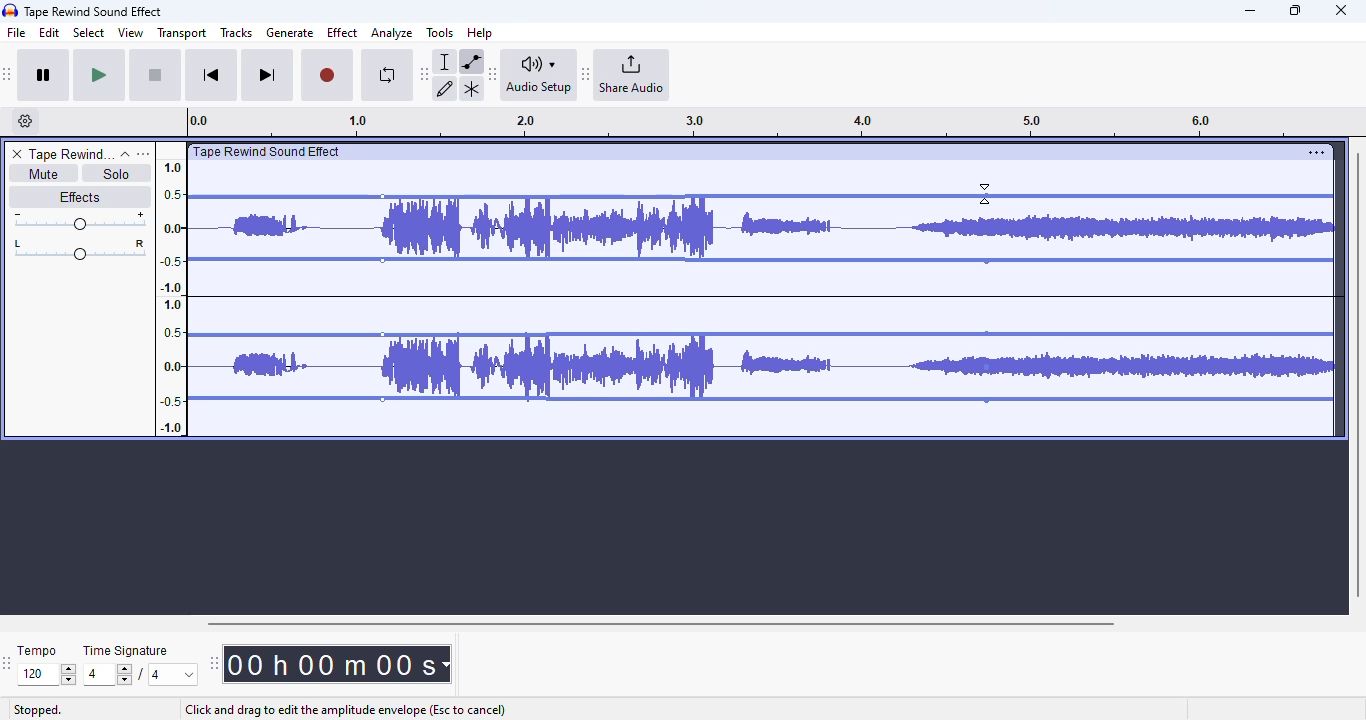  What do you see at coordinates (480, 32) in the screenshot?
I see `help` at bounding box center [480, 32].